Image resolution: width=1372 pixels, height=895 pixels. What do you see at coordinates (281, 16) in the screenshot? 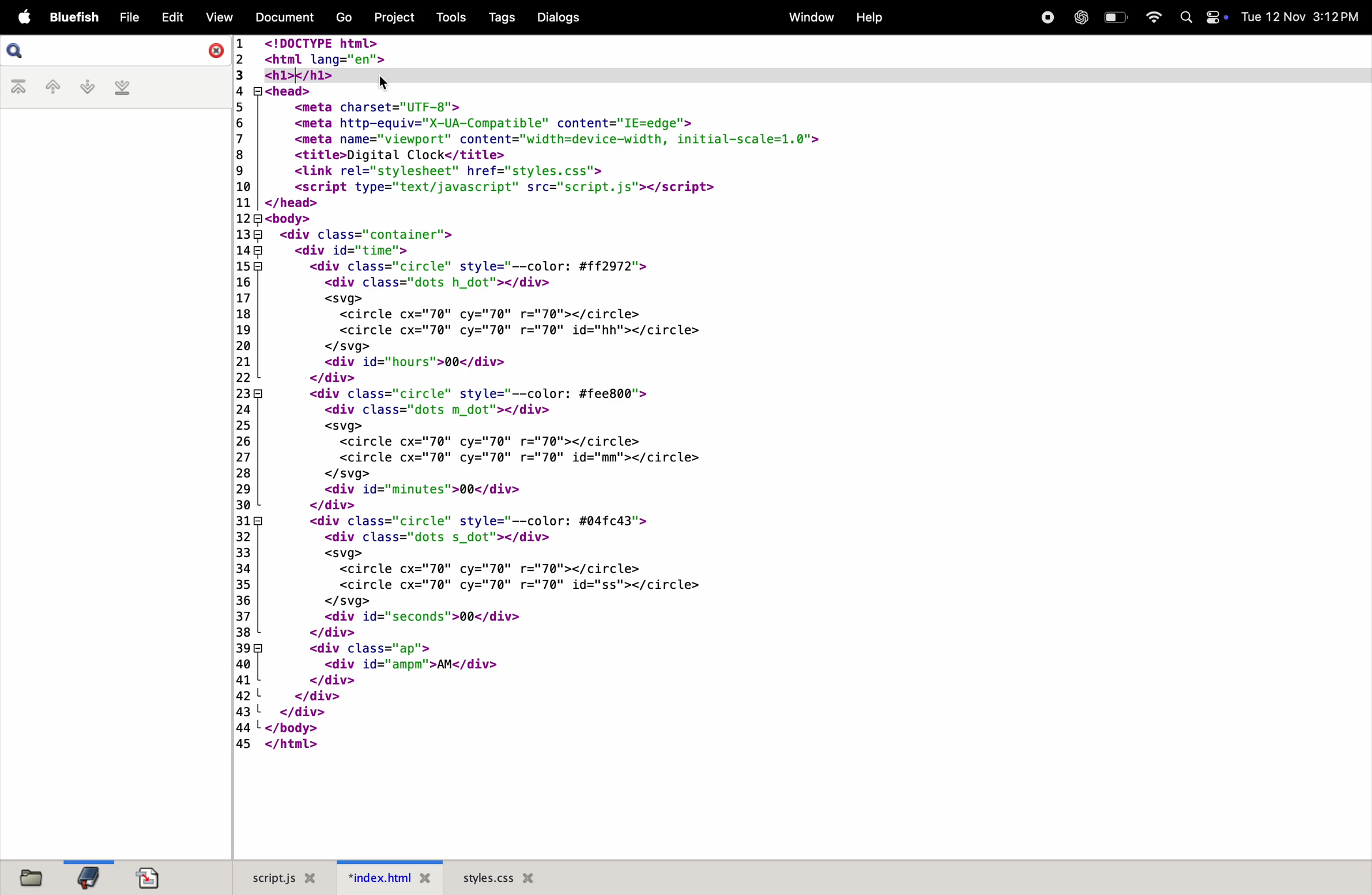
I see `document` at bounding box center [281, 16].